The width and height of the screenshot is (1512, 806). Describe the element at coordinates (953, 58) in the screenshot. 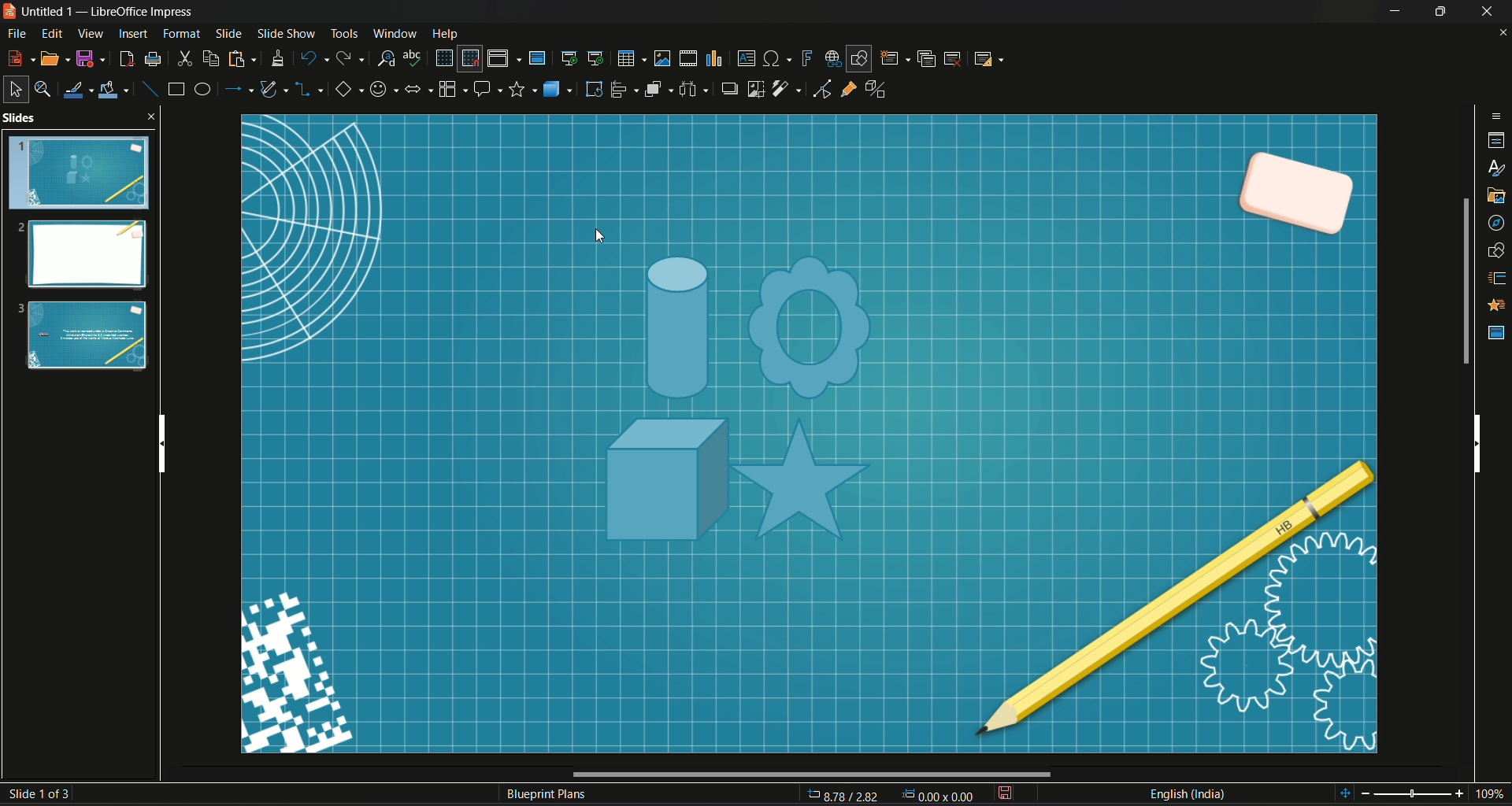

I see `delete slide` at that location.